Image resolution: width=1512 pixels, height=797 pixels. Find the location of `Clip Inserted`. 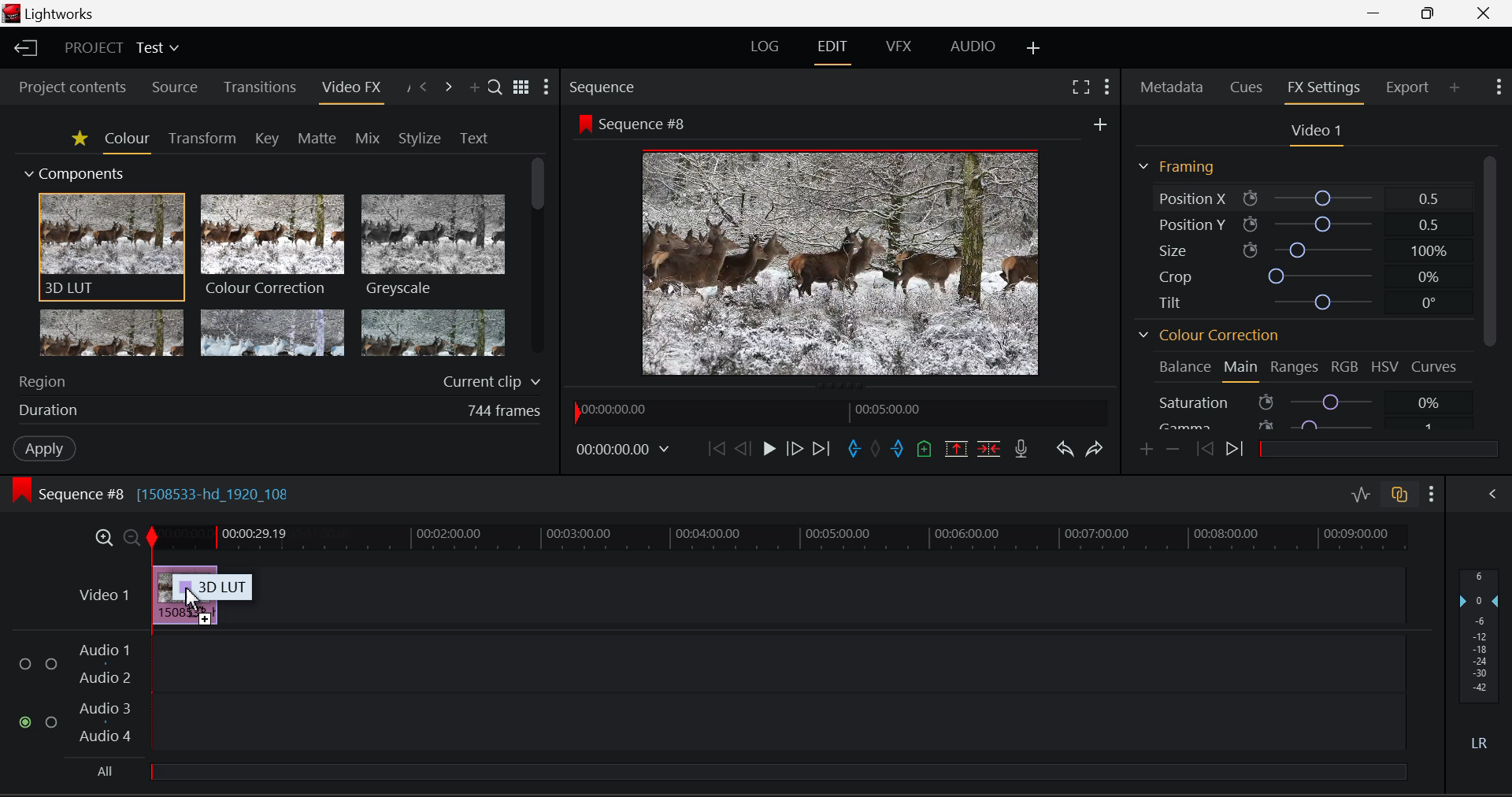

Clip Inserted is located at coordinates (184, 594).